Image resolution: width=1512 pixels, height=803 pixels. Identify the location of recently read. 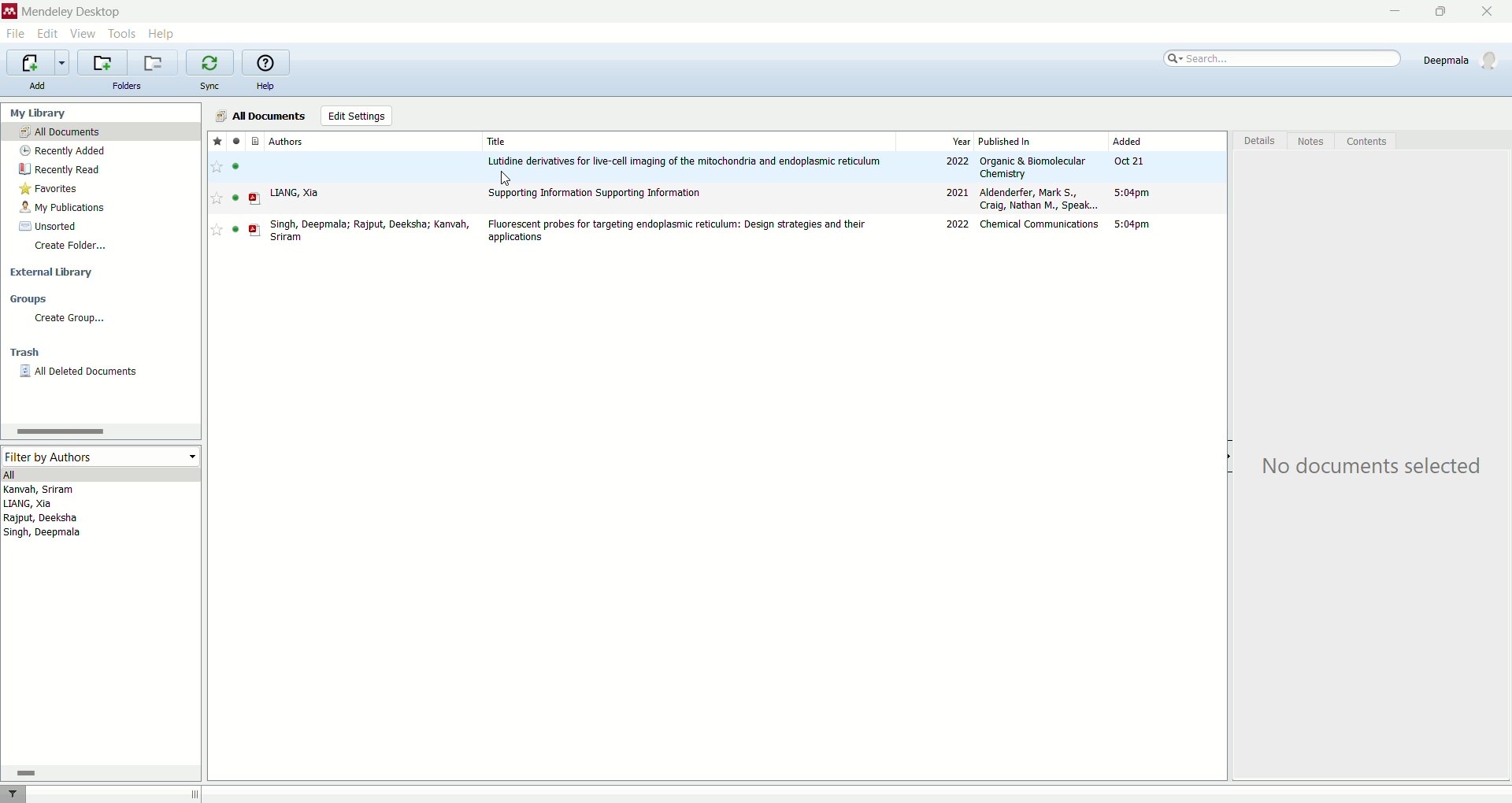
(66, 169).